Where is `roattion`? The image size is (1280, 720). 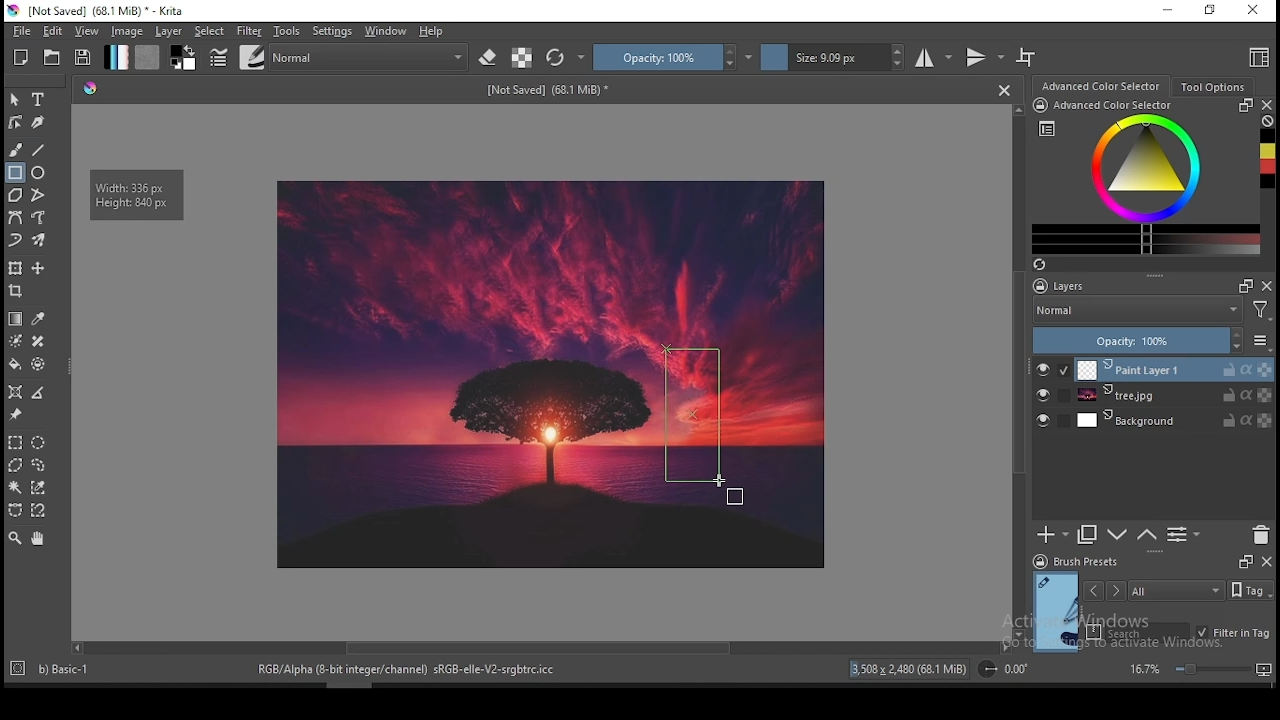
roattion is located at coordinates (1001, 669).